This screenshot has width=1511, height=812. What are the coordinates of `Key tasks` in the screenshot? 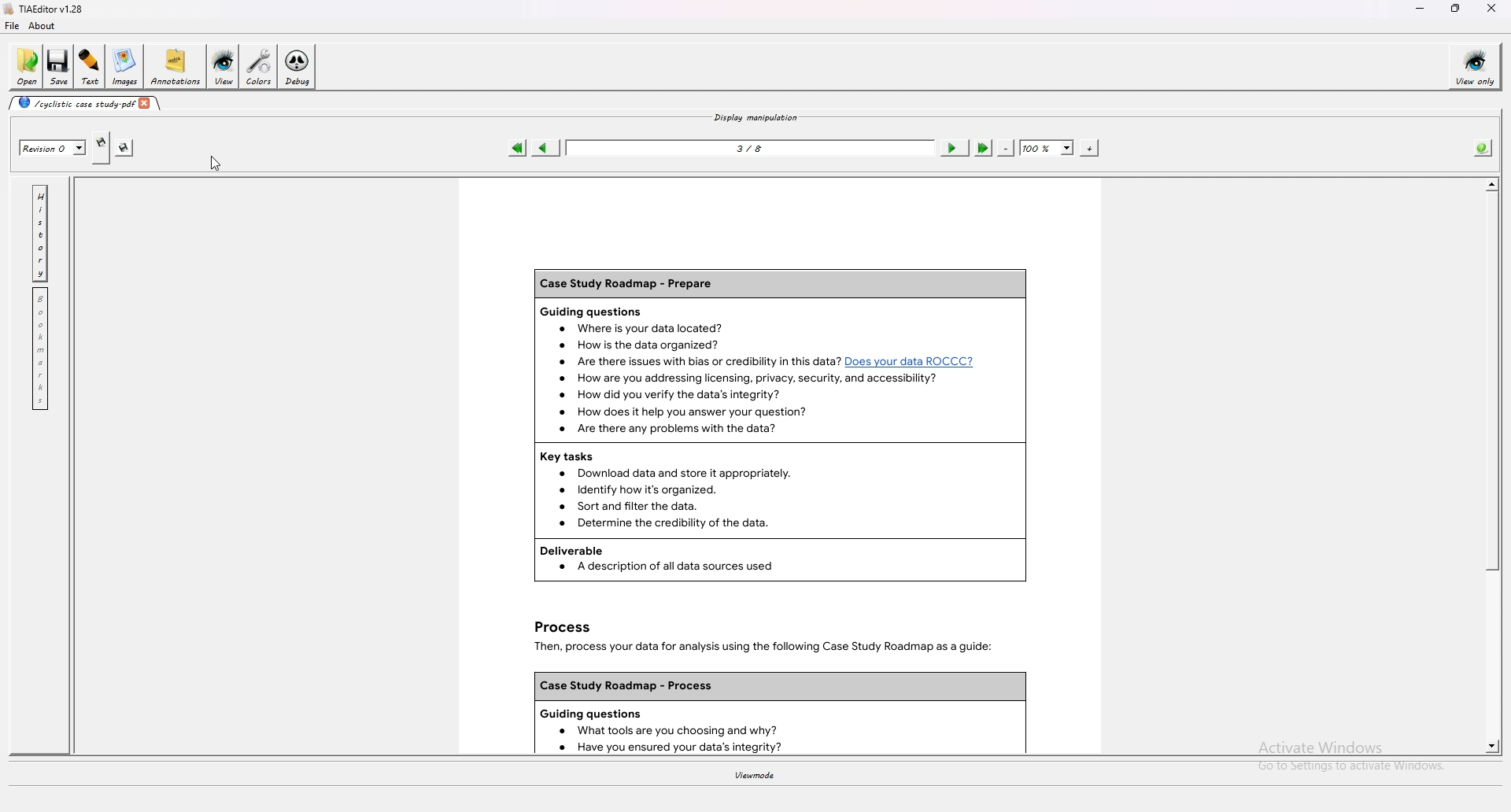 It's located at (573, 455).